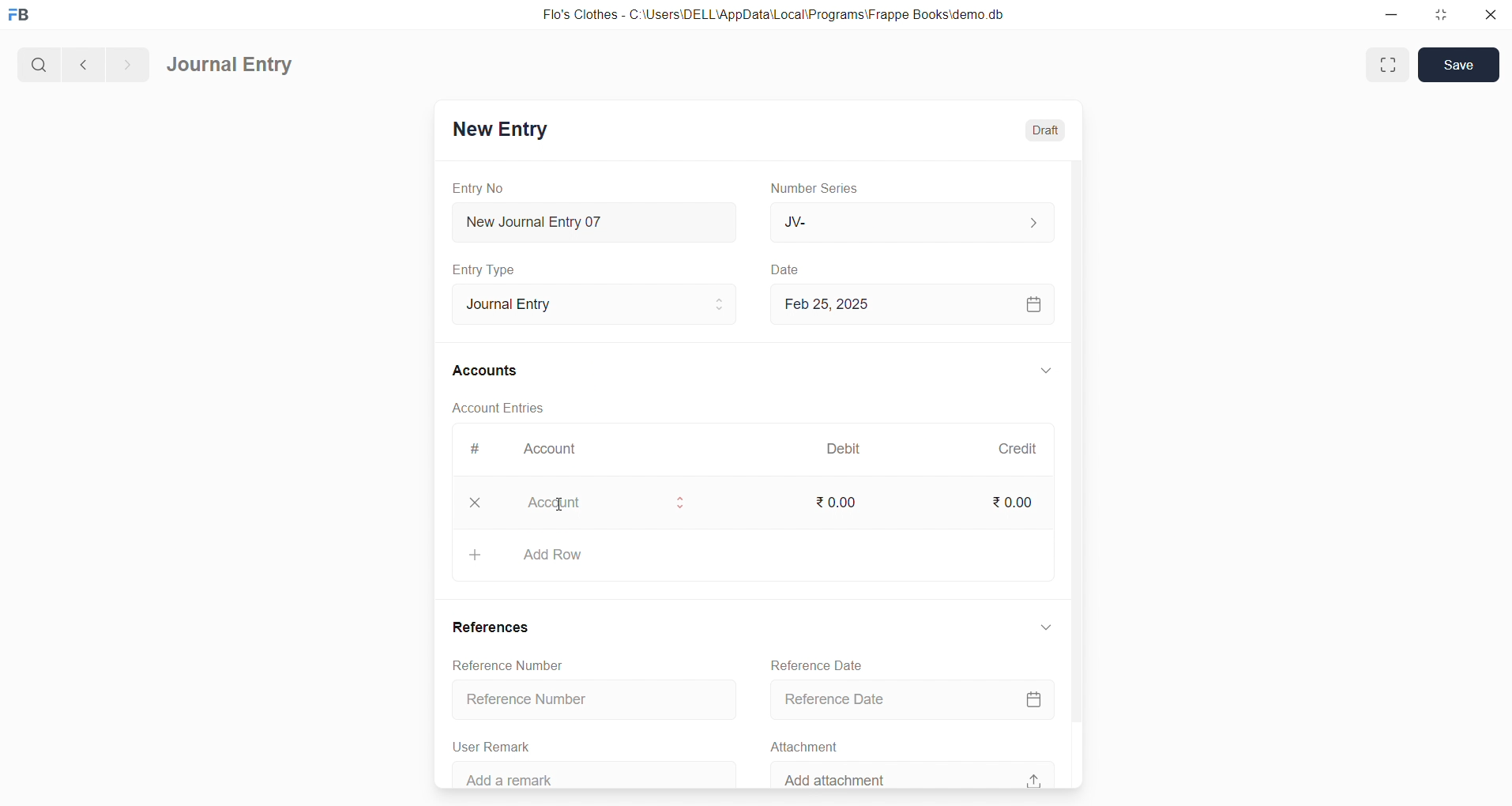 This screenshot has width=1512, height=806. Describe the element at coordinates (1046, 632) in the screenshot. I see `expand/collapse` at that location.